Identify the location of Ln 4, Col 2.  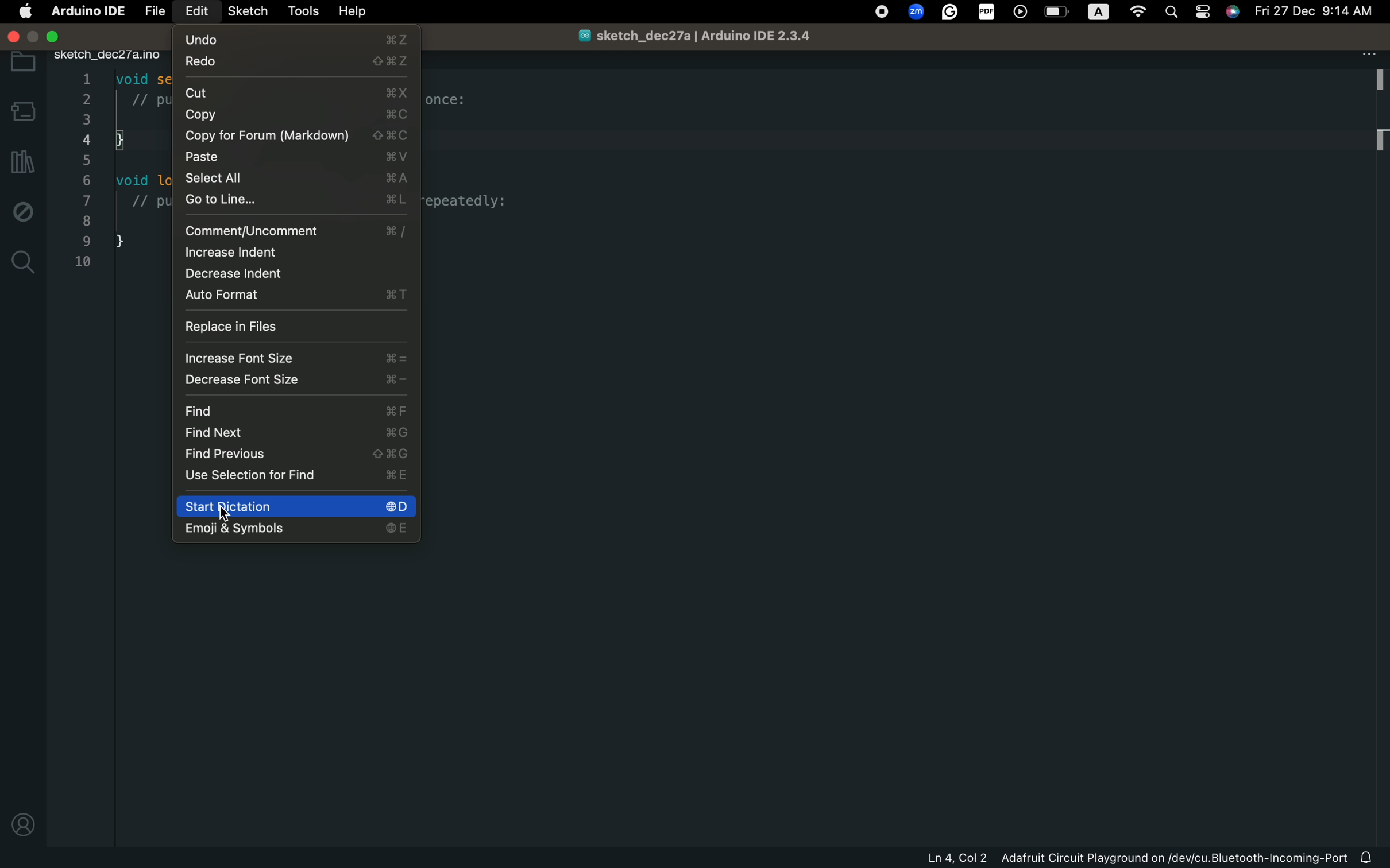
(955, 858).